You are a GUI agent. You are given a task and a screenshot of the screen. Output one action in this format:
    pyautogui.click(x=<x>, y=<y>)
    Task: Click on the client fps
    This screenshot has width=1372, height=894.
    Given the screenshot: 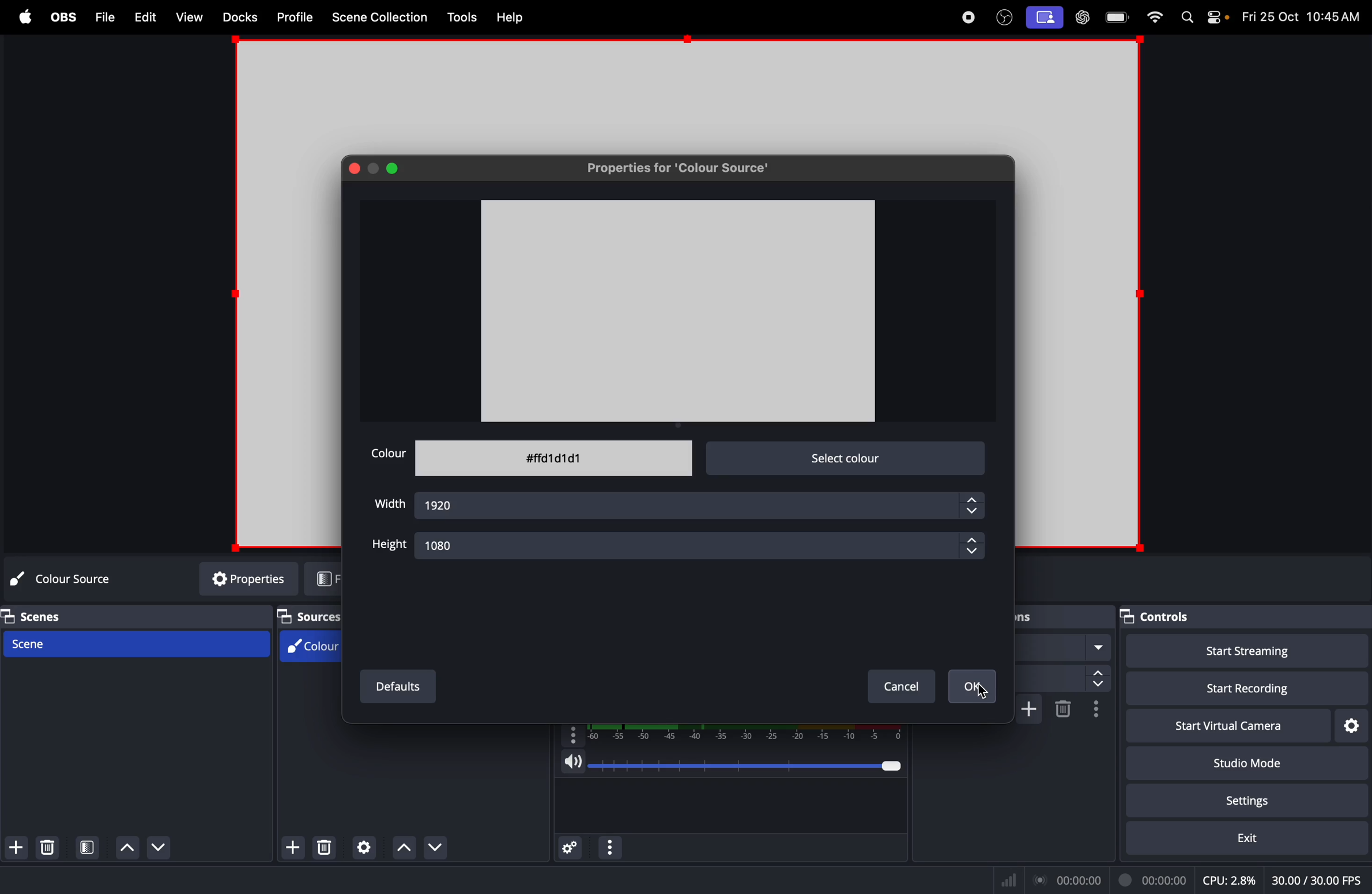 What is the action you would take?
    pyautogui.click(x=1314, y=876)
    